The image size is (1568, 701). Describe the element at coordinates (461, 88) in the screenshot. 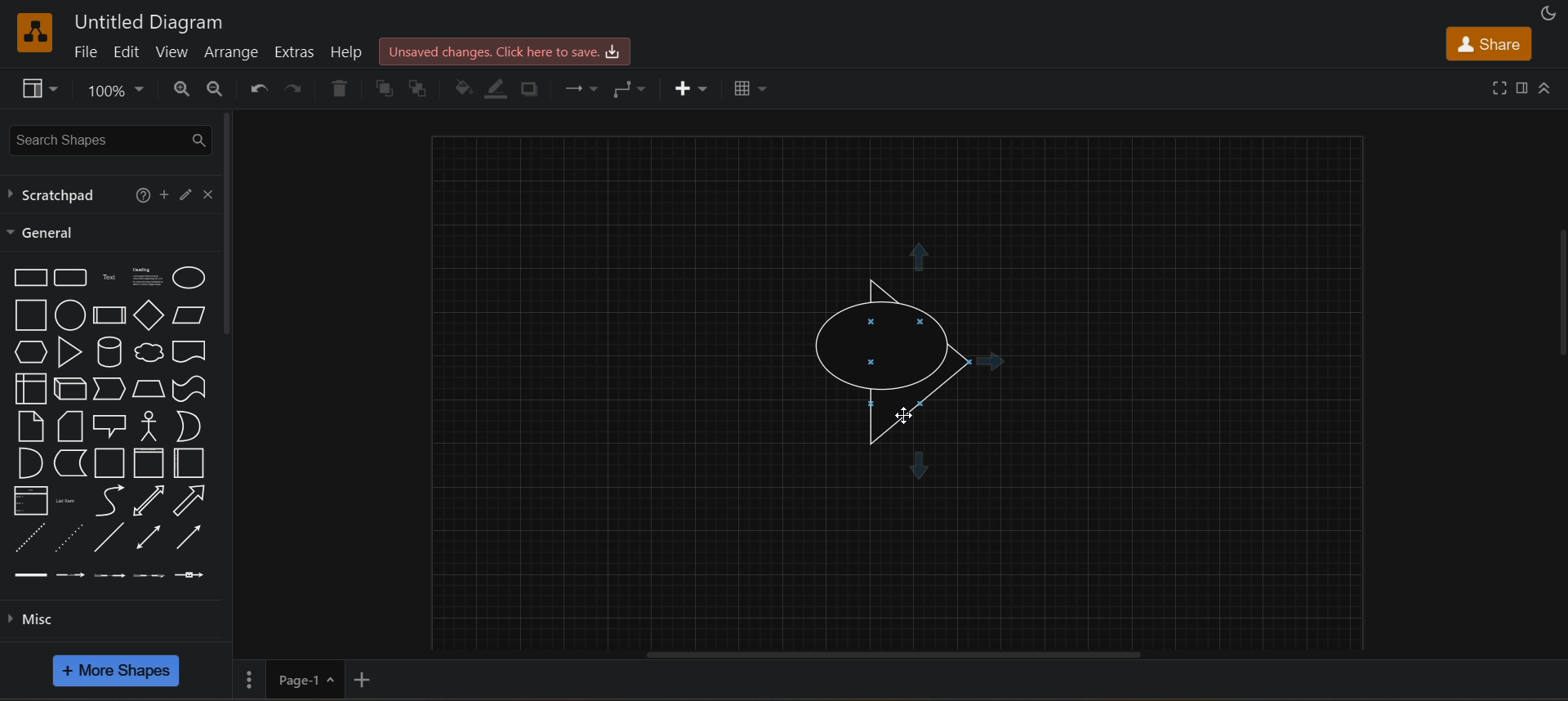

I see `fill color` at that location.